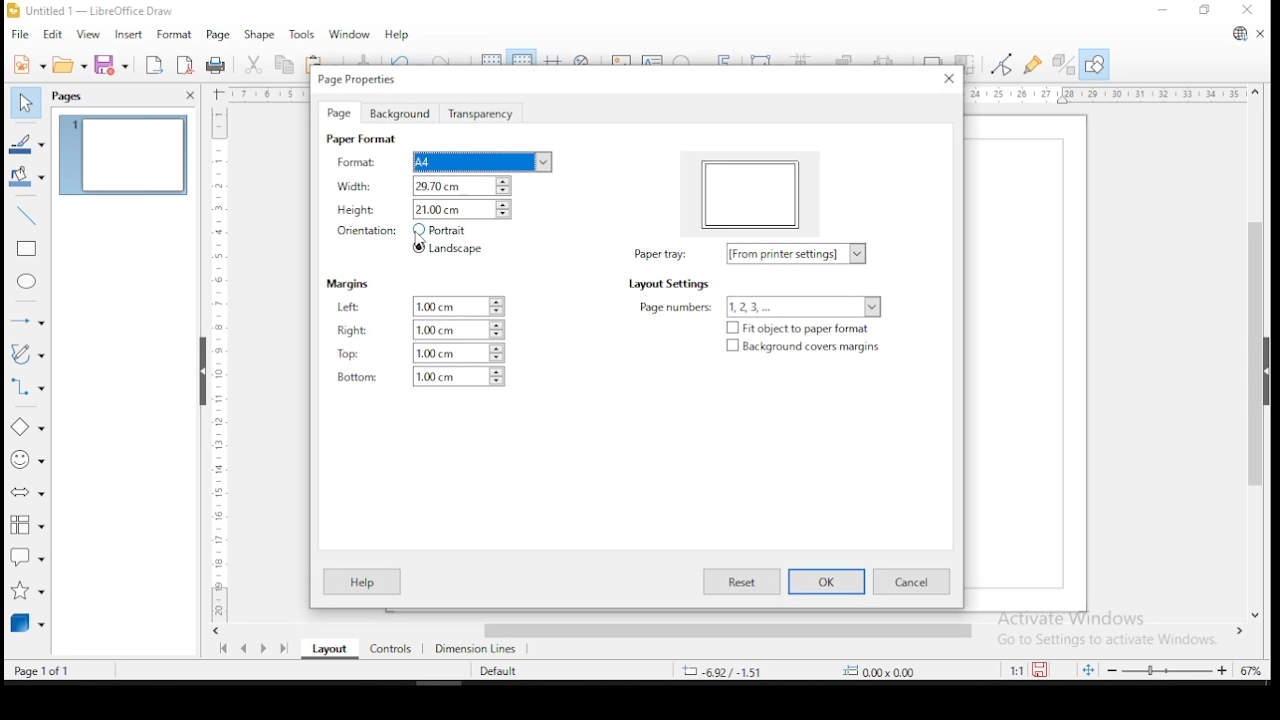 The height and width of the screenshot is (720, 1280). I want to click on portrait, so click(444, 230).